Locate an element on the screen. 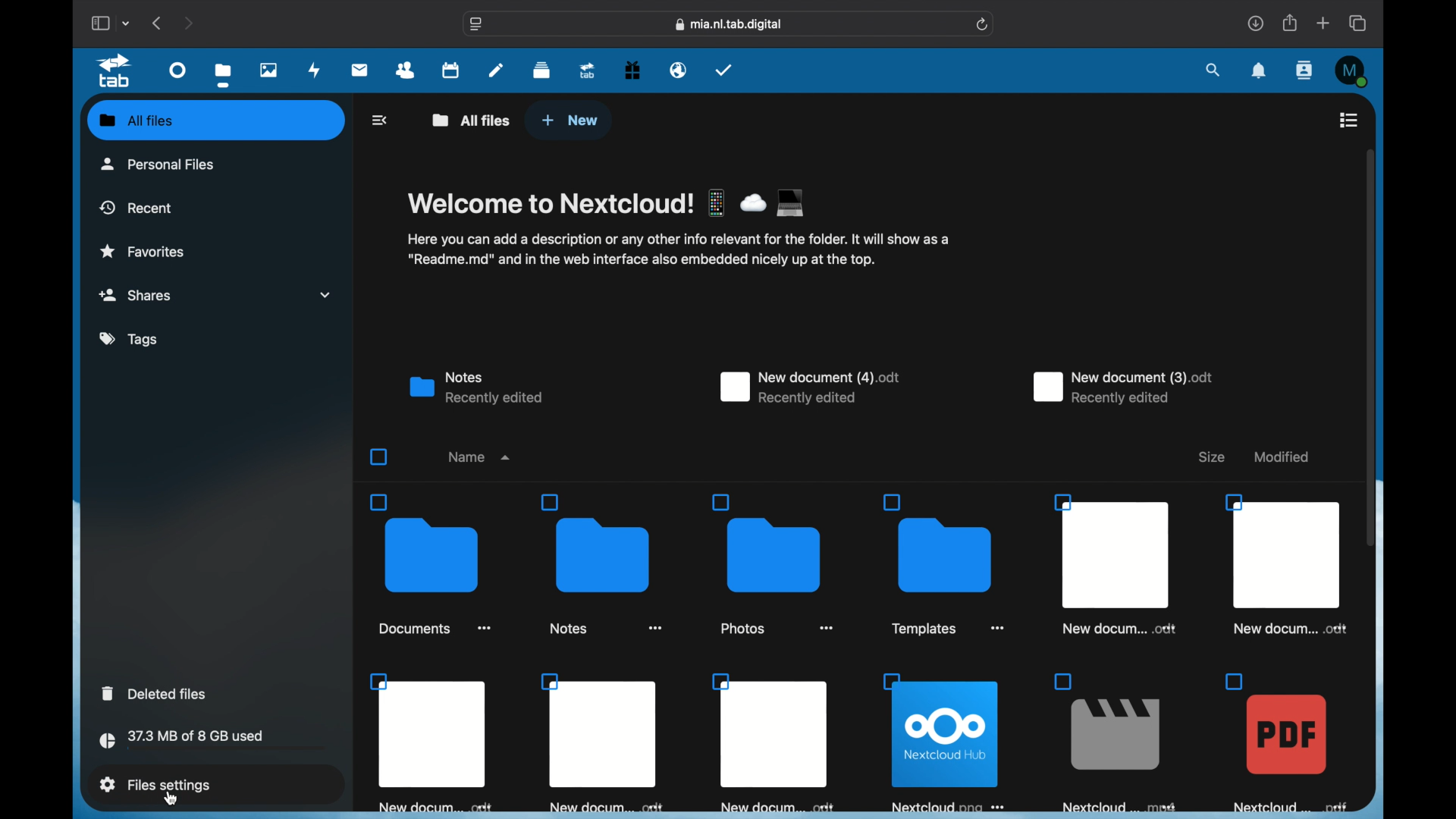 Image resolution: width=1456 pixels, height=819 pixels. mail is located at coordinates (360, 70).